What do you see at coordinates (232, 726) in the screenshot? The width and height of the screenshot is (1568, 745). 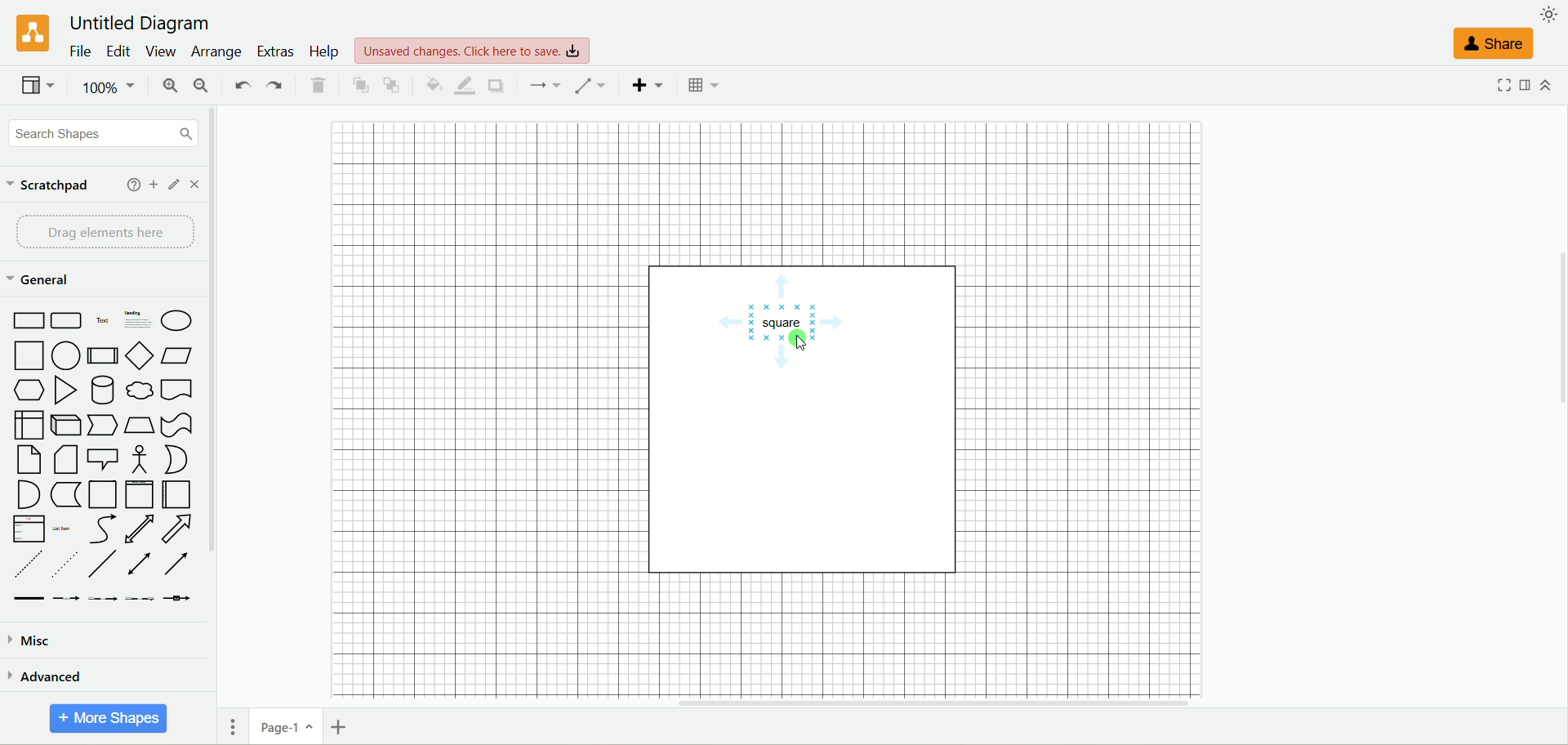 I see `pages` at bounding box center [232, 726].